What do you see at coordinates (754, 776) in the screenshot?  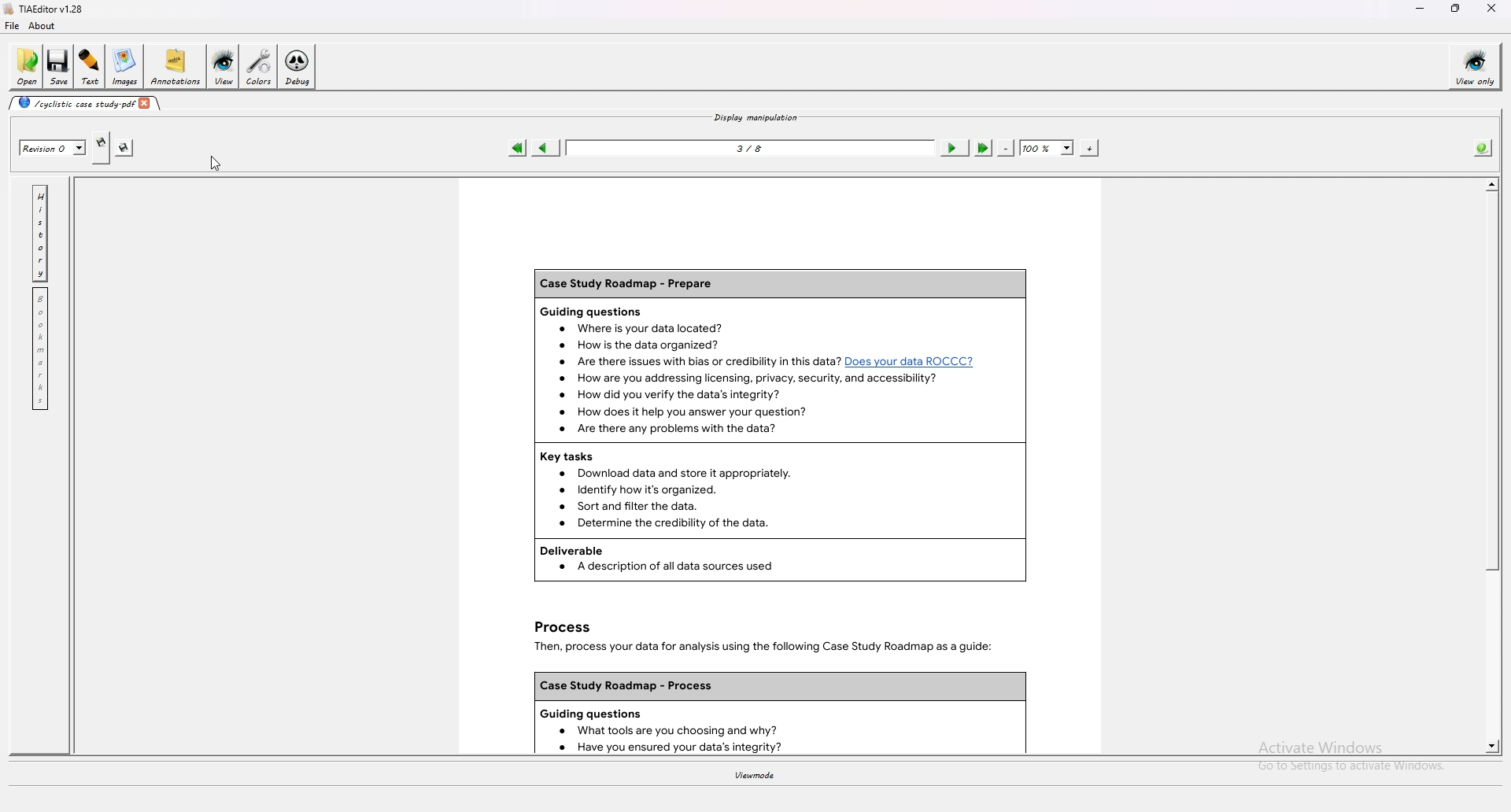 I see `viewmode` at bounding box center [754, 776].